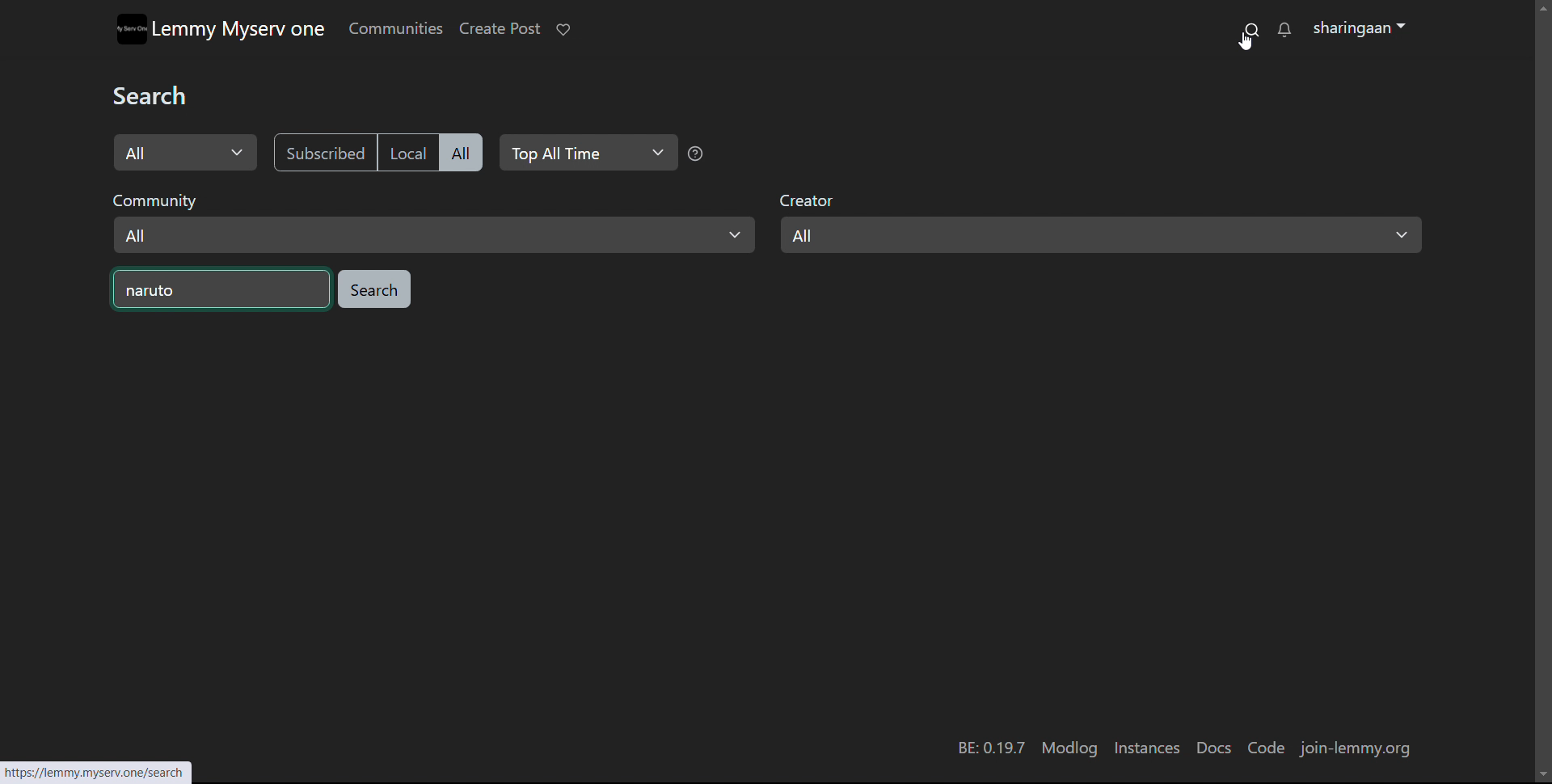 The image size is (1552, 784). I want to click on donate to lemmy, so click(562, 30).